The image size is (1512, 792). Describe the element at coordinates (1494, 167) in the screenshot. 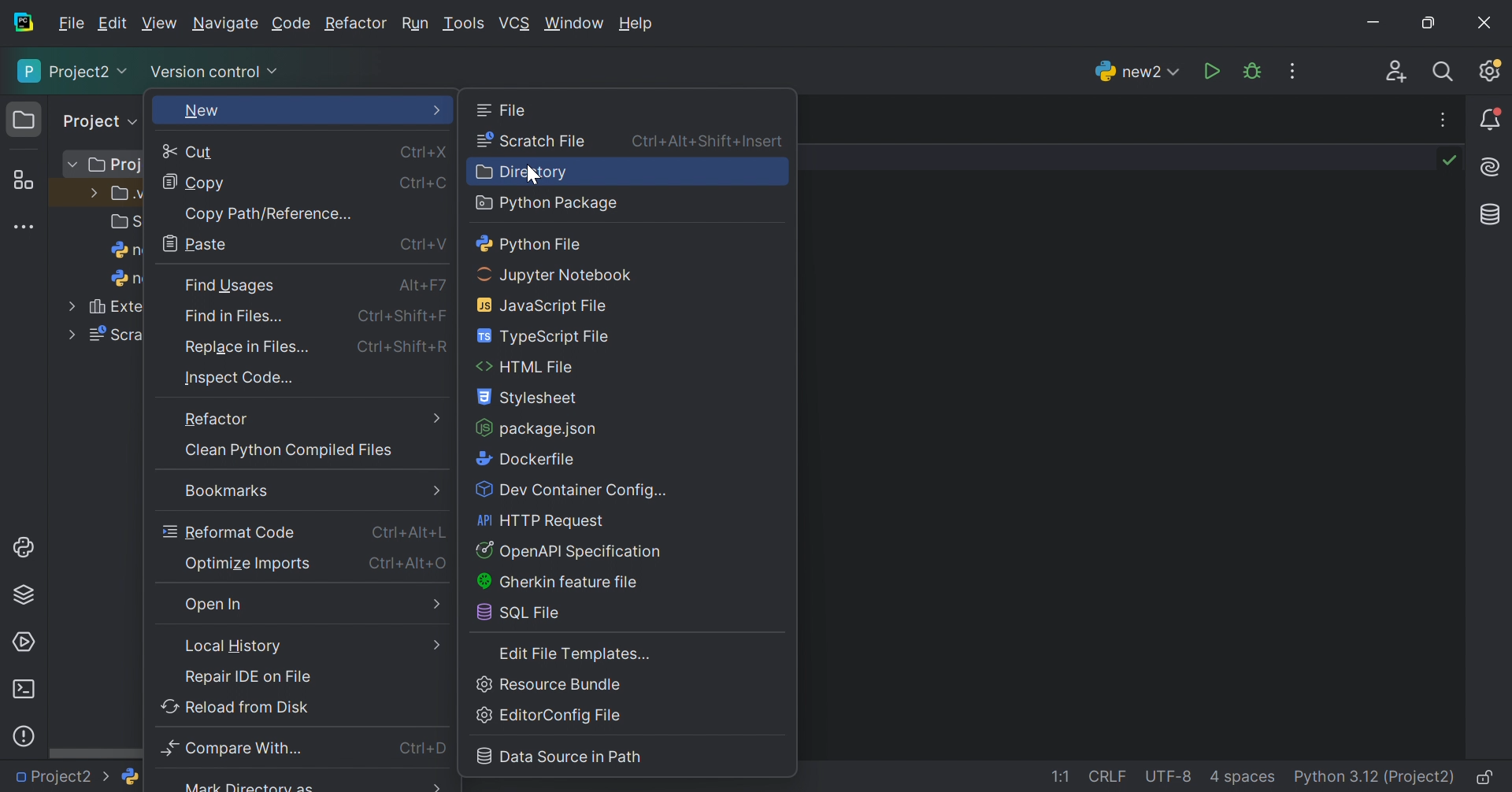

I see `AI Assistant` at that location.